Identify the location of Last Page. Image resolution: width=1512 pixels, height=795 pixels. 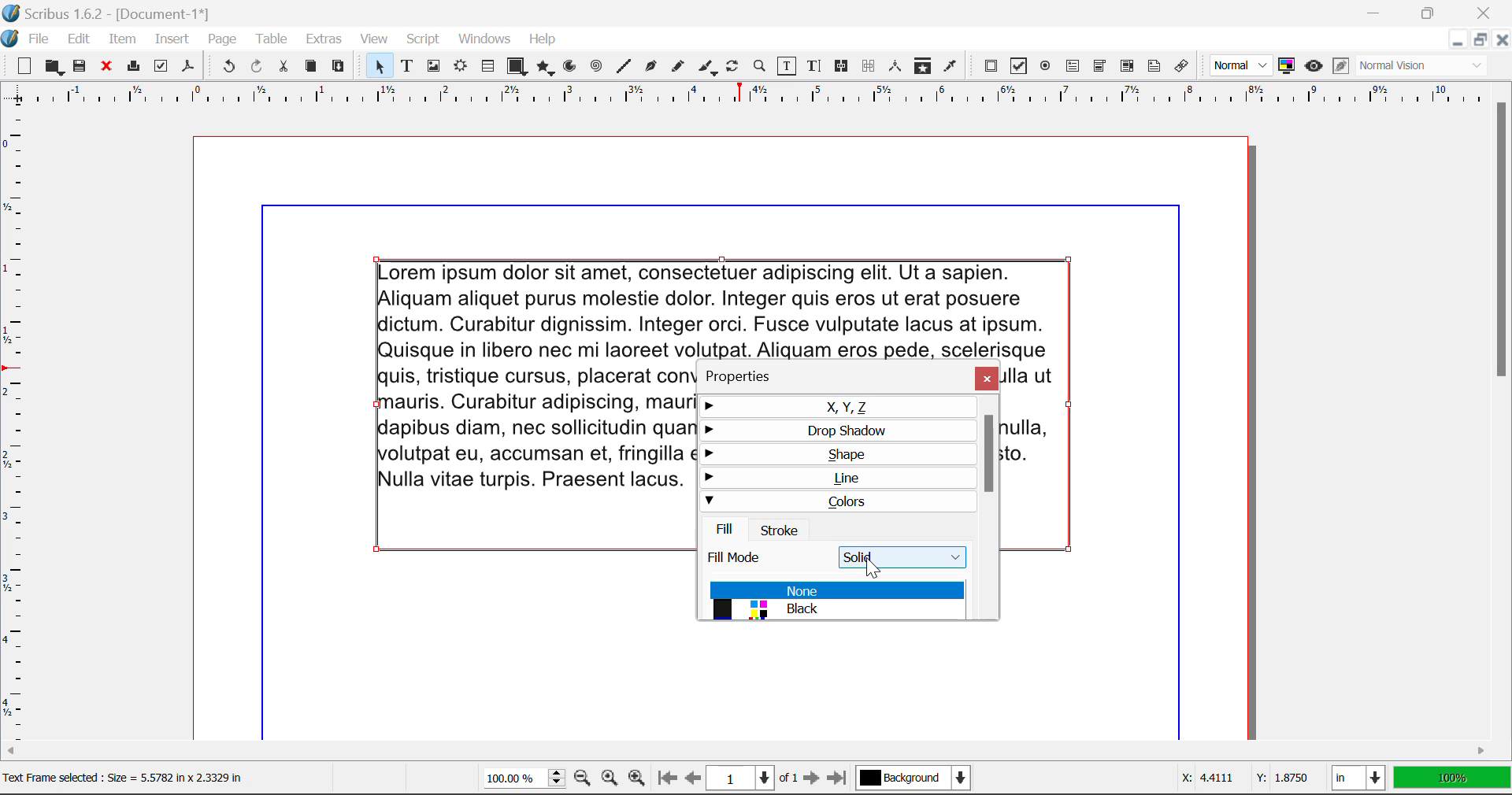
(840, 781).